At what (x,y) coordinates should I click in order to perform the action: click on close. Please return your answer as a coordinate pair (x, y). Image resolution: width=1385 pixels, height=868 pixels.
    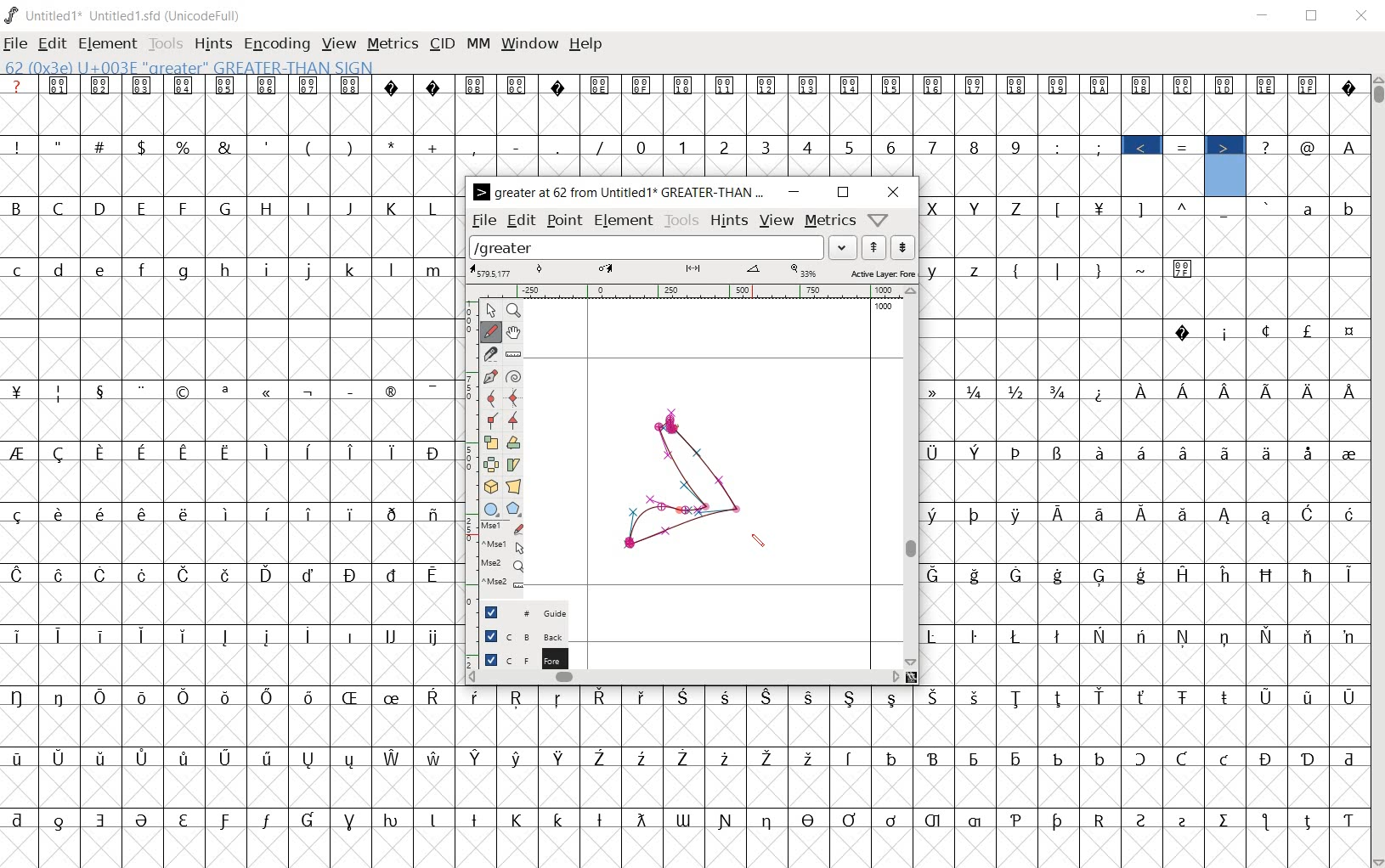
    Looking at the image, I should click on (895, 192).